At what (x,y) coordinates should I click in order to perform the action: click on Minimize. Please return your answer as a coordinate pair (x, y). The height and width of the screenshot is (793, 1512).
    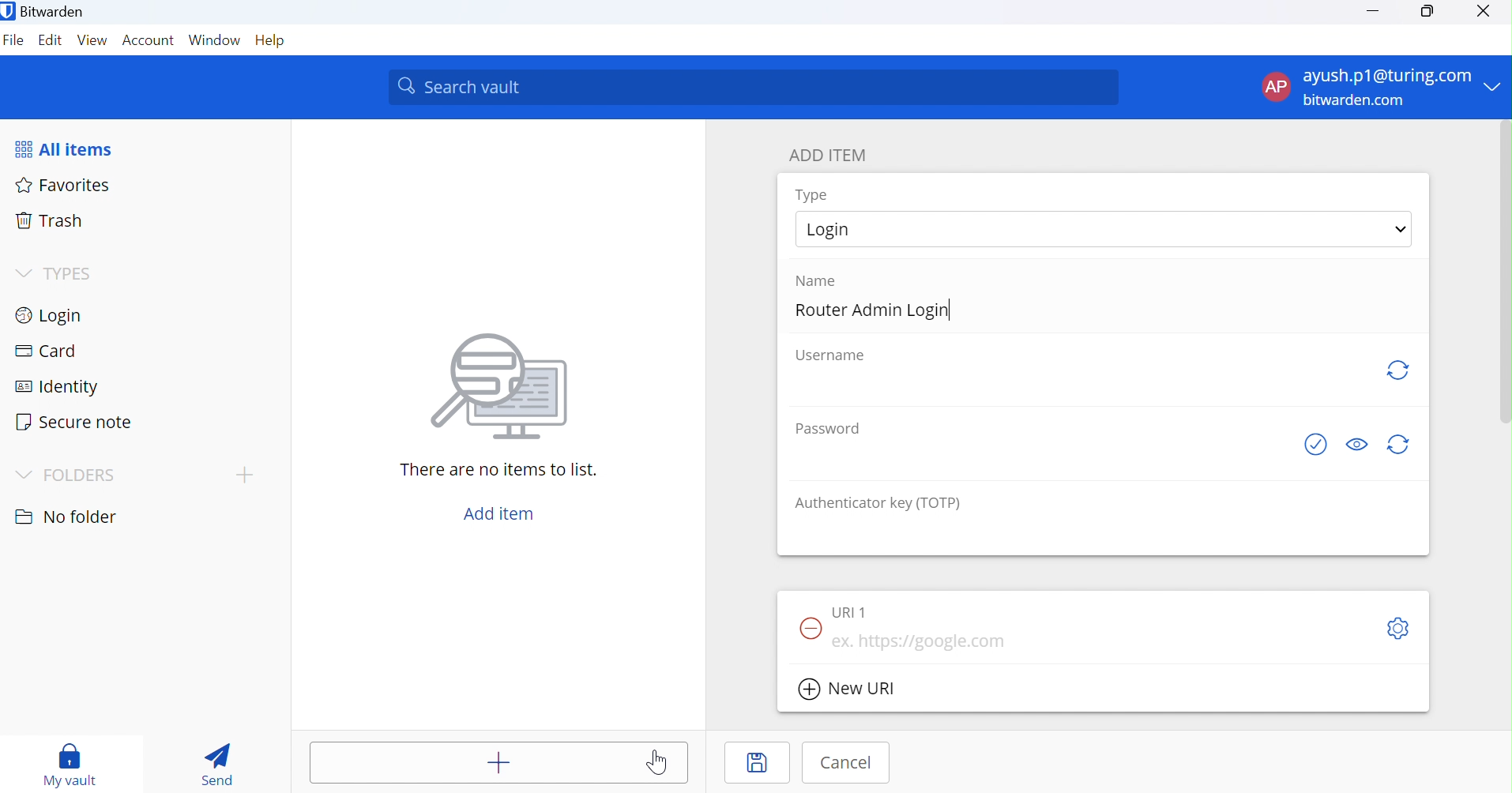
    Looking at the image, I should click on (1374, 11).